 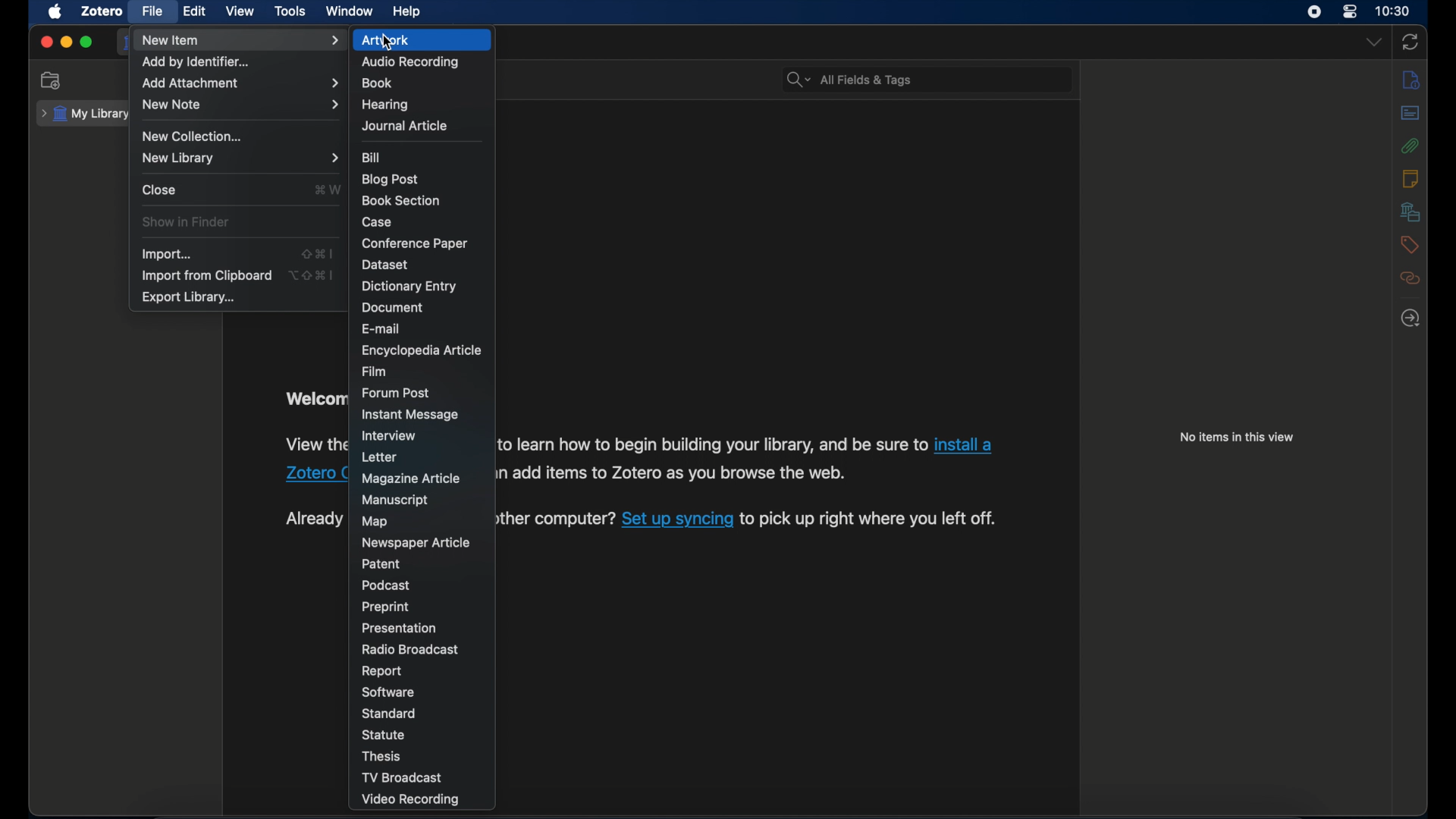 I want to click on add by identifier, so click(x=197, y=62).